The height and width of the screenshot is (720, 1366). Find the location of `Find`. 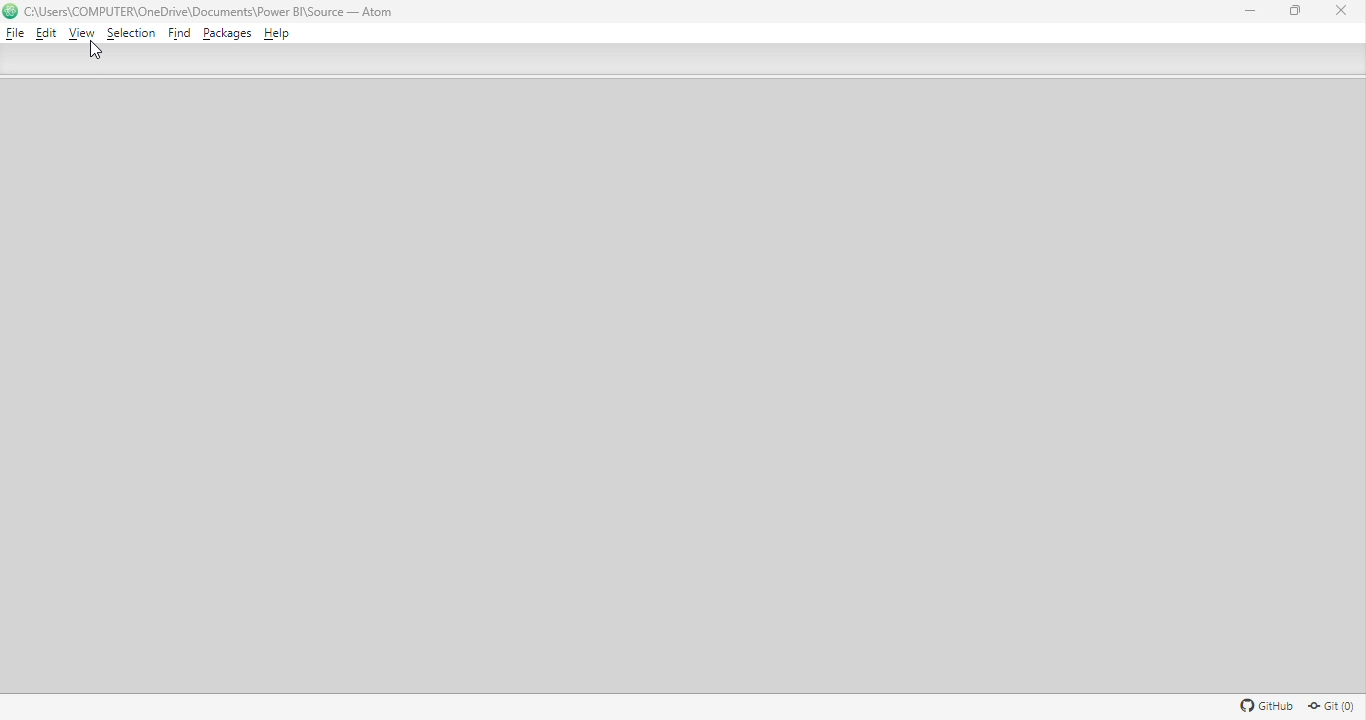

Find is located at coordinates (180, 35).